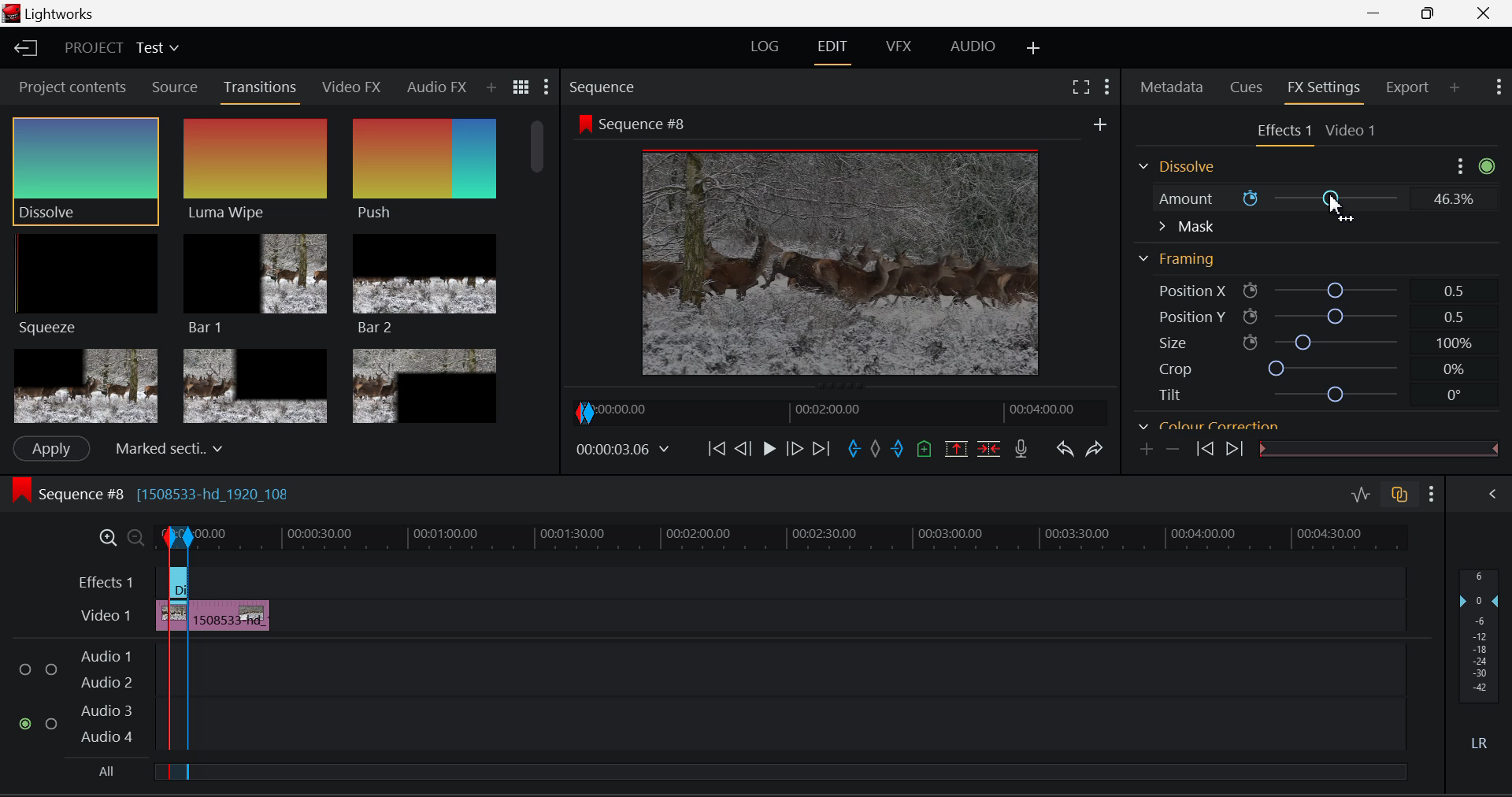 This screenshot has width=1512, height=797. What do you see at coordinates (198, 496) in the screenshot?
I see `Sequence #8 Editing Section` at bounding box center [198, 496].